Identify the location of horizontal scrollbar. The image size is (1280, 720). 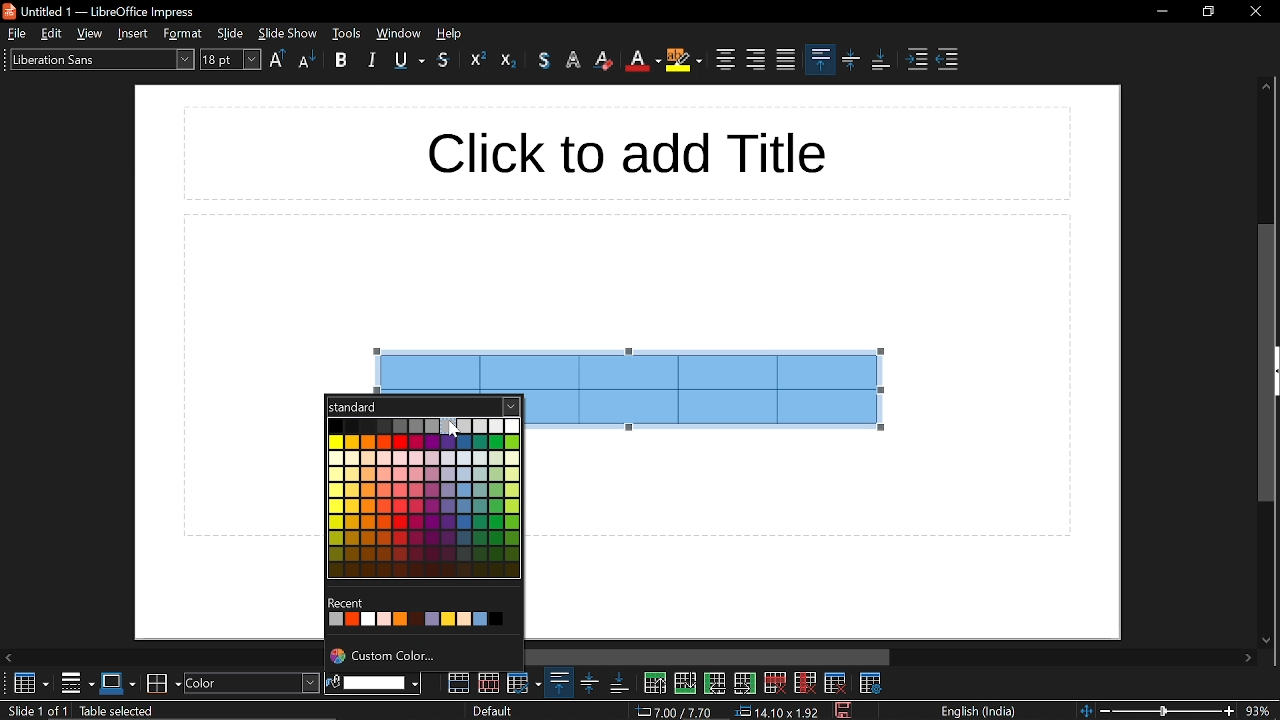
(710, 656).